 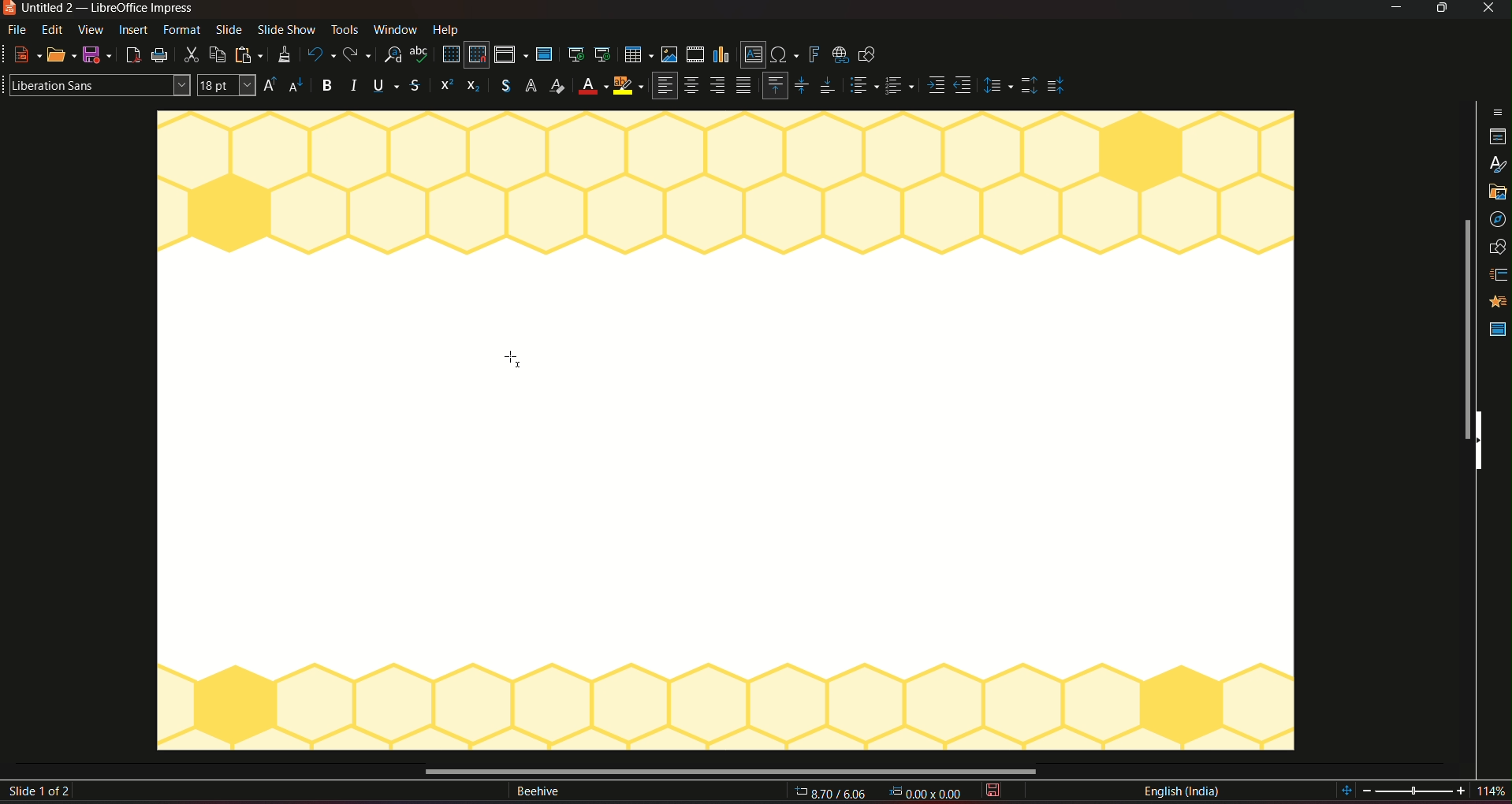 What do you see at coordinates (693, 87) in the screenshot?
I see `Align center` at bounding box center [693, 87].